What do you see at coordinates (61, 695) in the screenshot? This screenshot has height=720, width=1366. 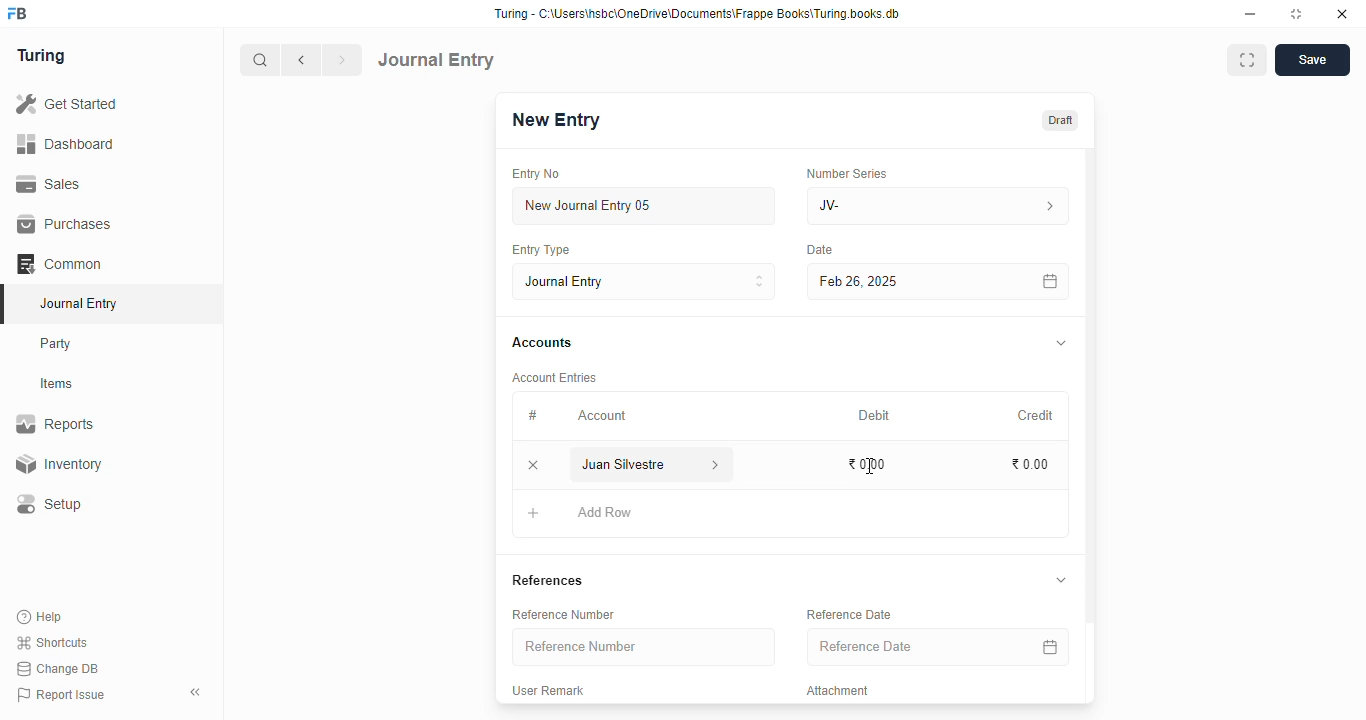 I see `report issue` at bounding box center [61, 695].